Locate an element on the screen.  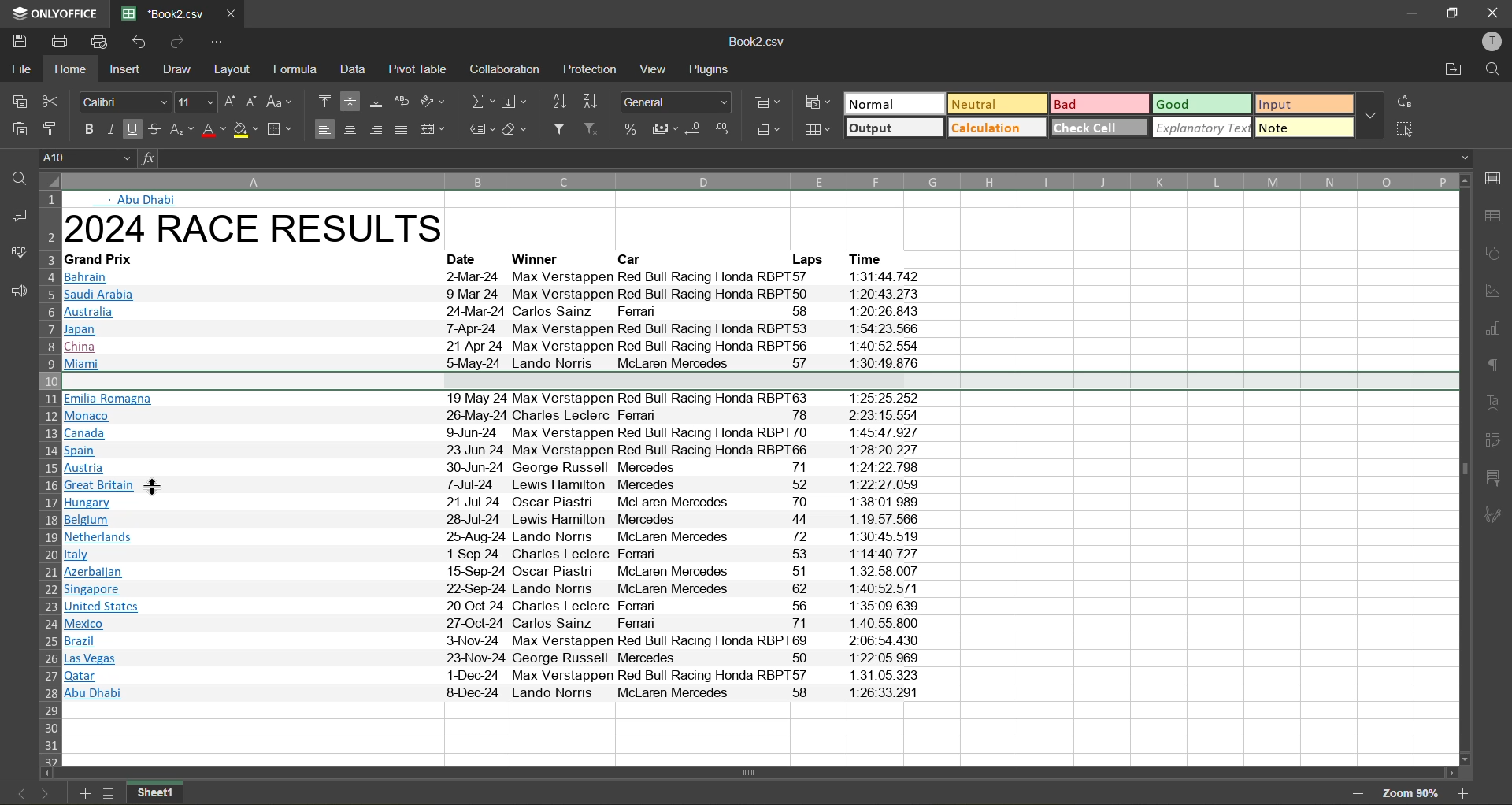
move left is located at coordinates (48, 773).